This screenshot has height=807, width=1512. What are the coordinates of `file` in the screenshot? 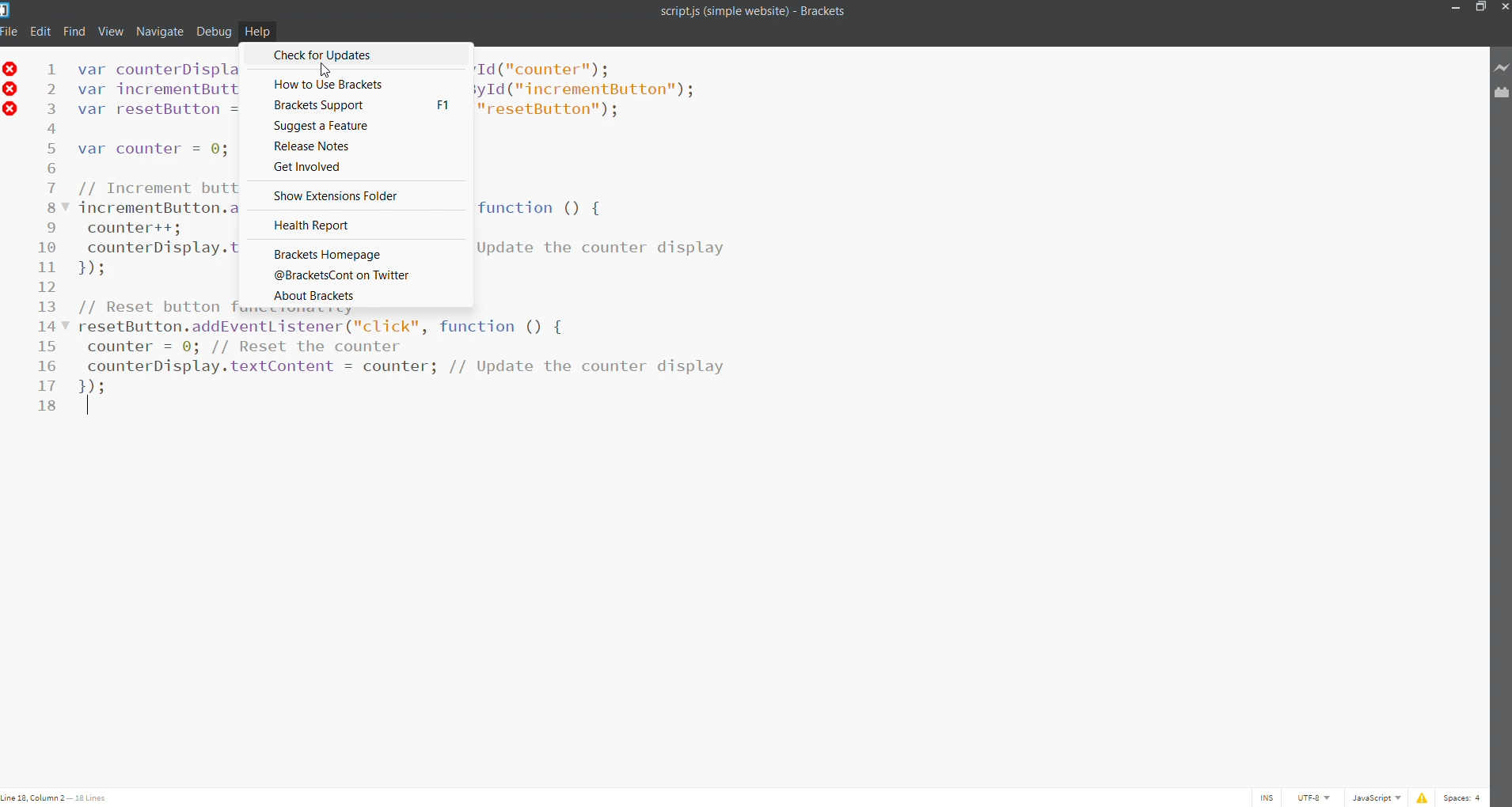 It's located at (9, 31).